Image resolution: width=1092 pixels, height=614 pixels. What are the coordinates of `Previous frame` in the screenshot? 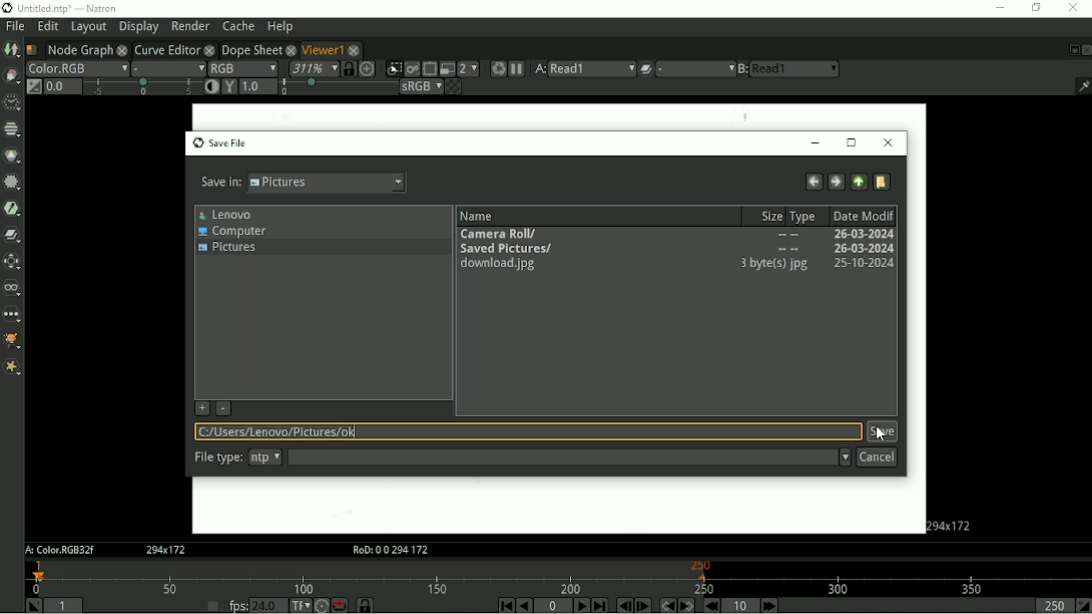 It's located at (624, 606).